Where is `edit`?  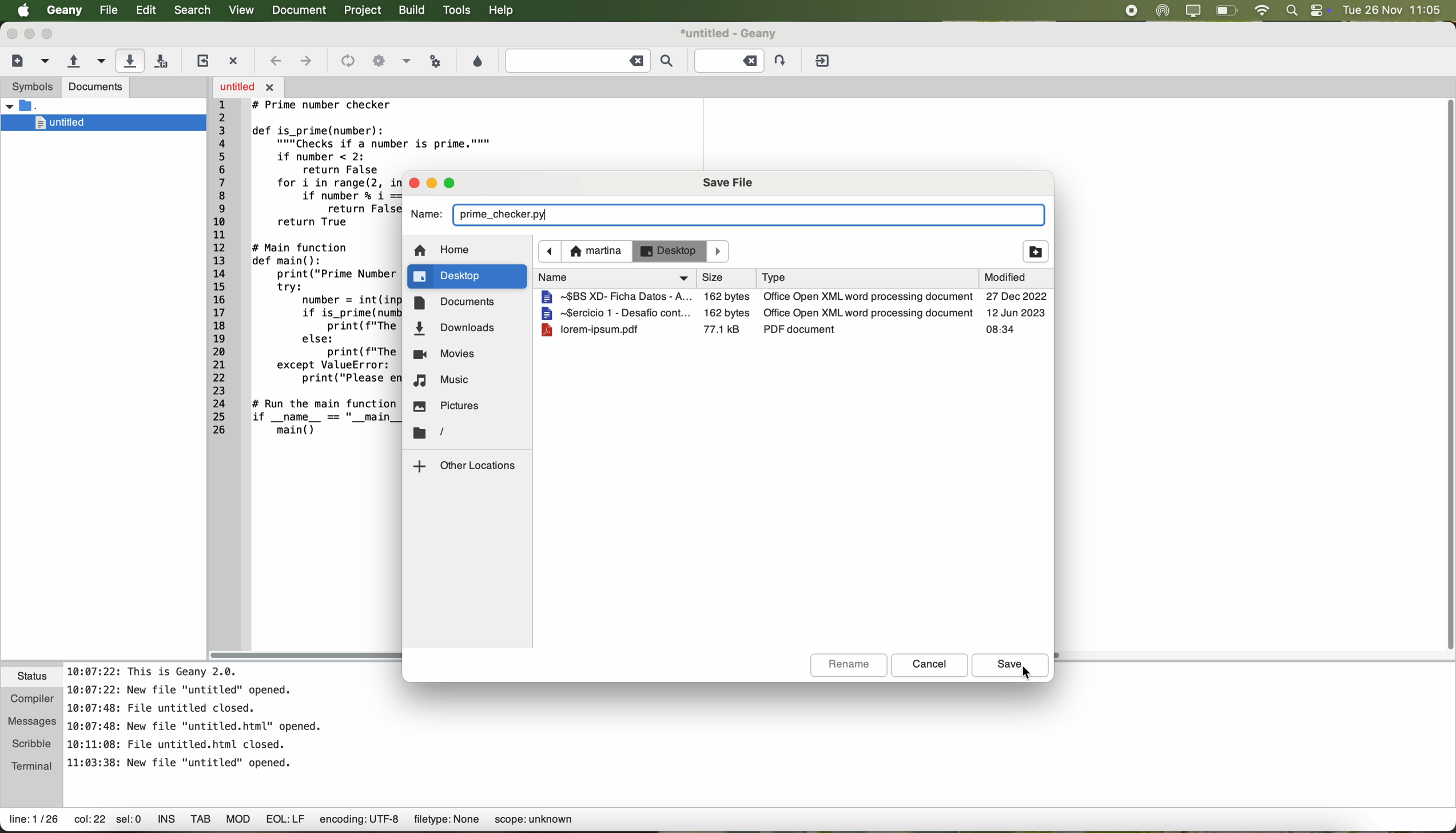 edit is located at coordinates (146, 11).